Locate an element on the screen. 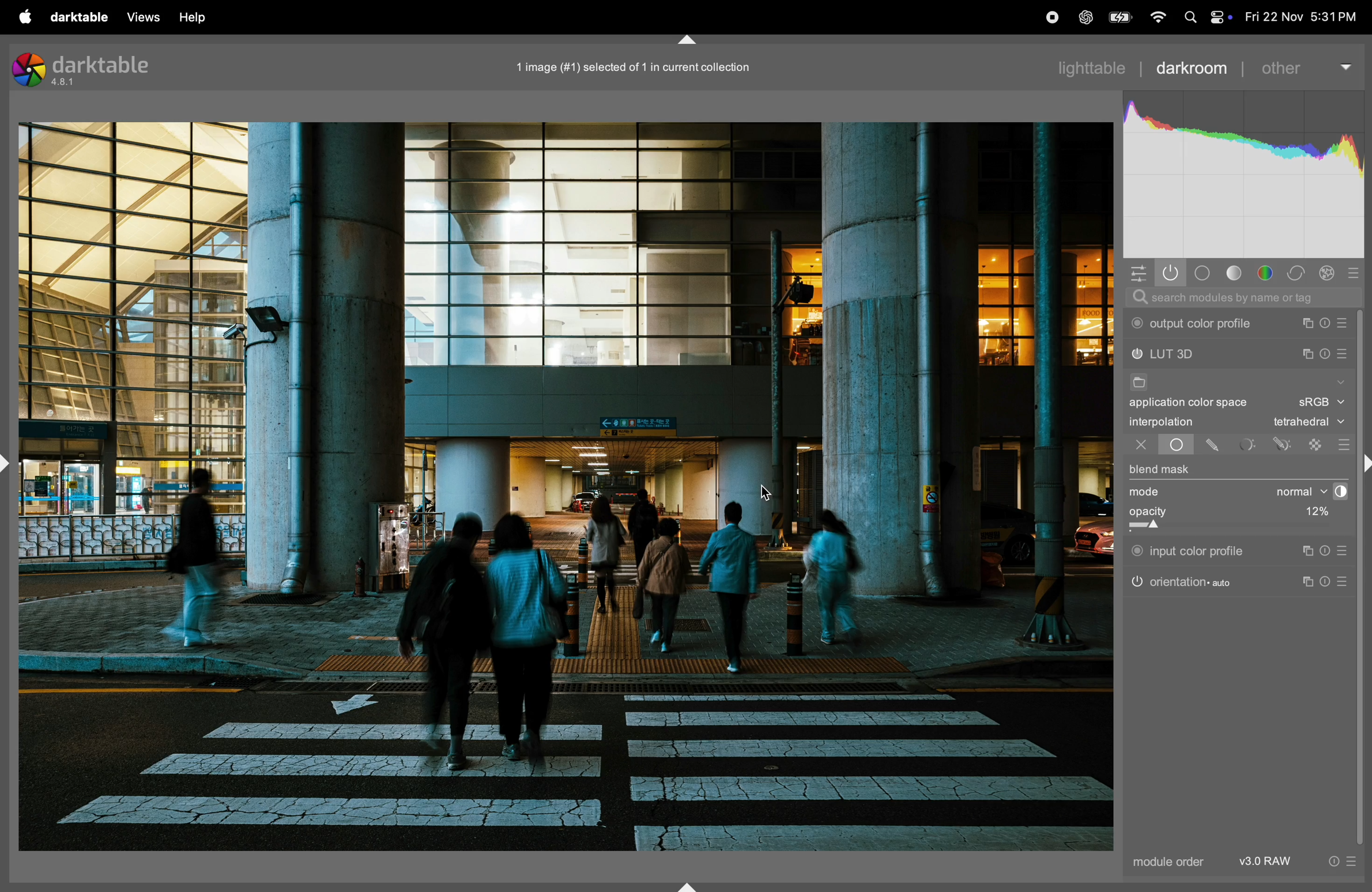 The width and height of the screenshot is (1372, 892). reset parameters is located at coordinates (1330, 580).